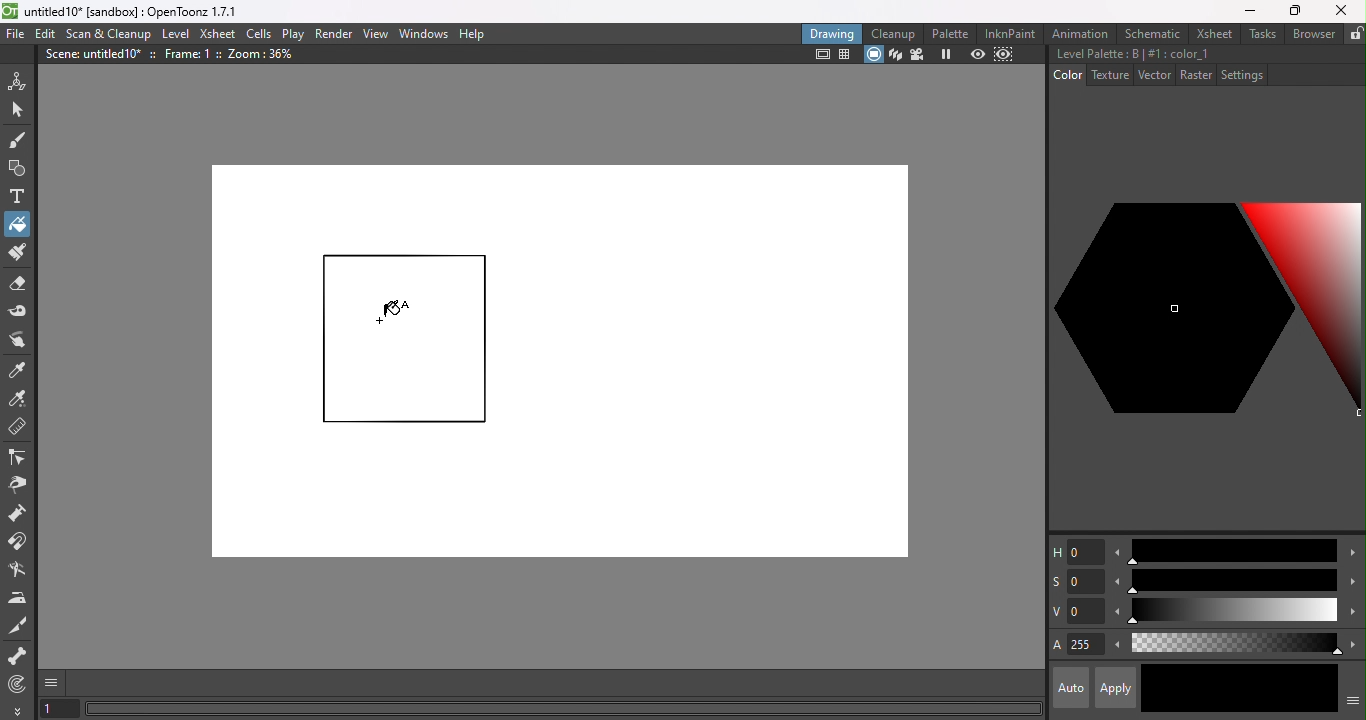 The height and width of the screenshot is (720, 1366). What do you see at coordinates (18, 429) in the screenshot?
I see `Ruler tool` at bounding box center [18, 429].